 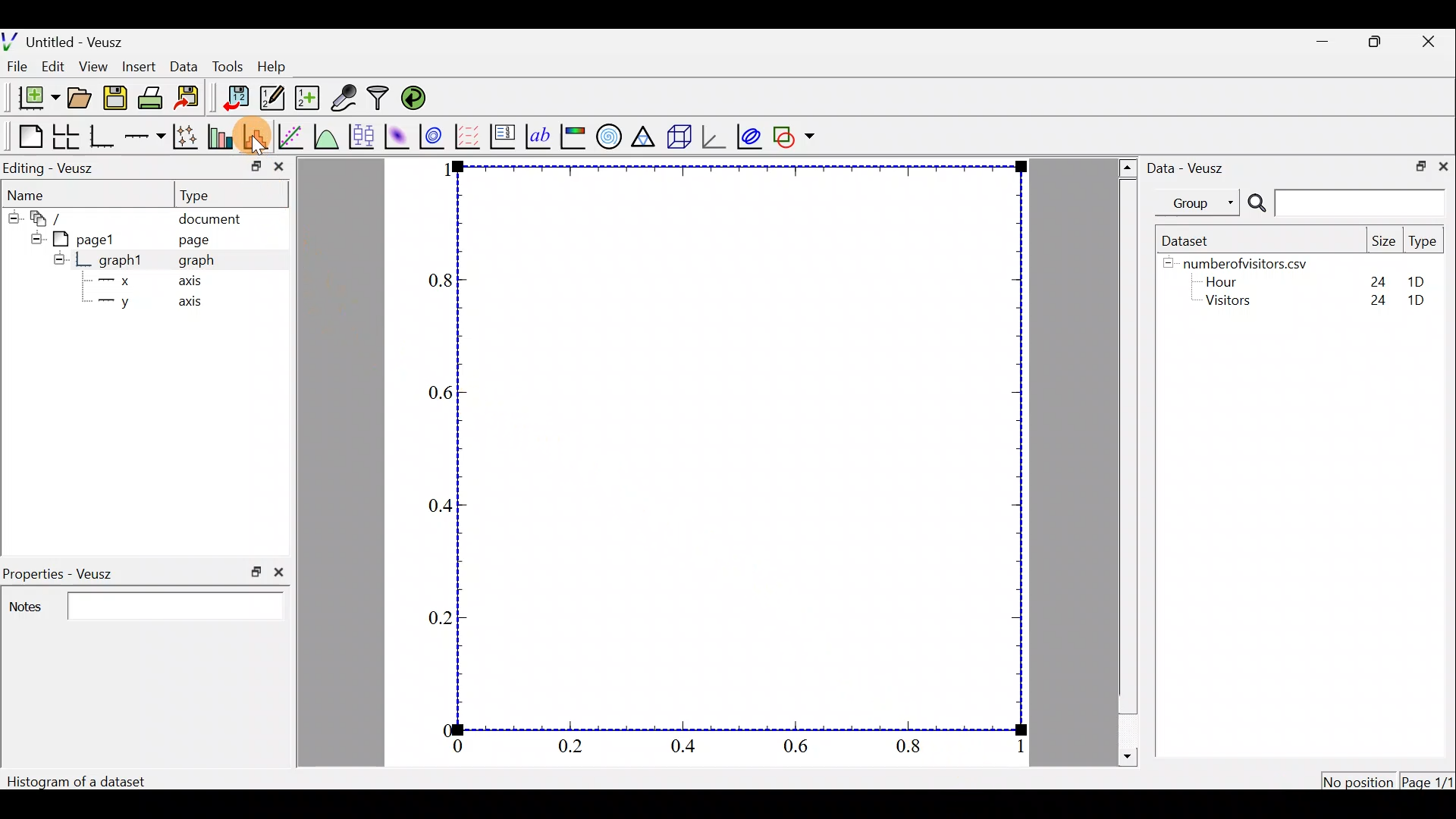 I want to click on close, so click(x=1443, y=168).